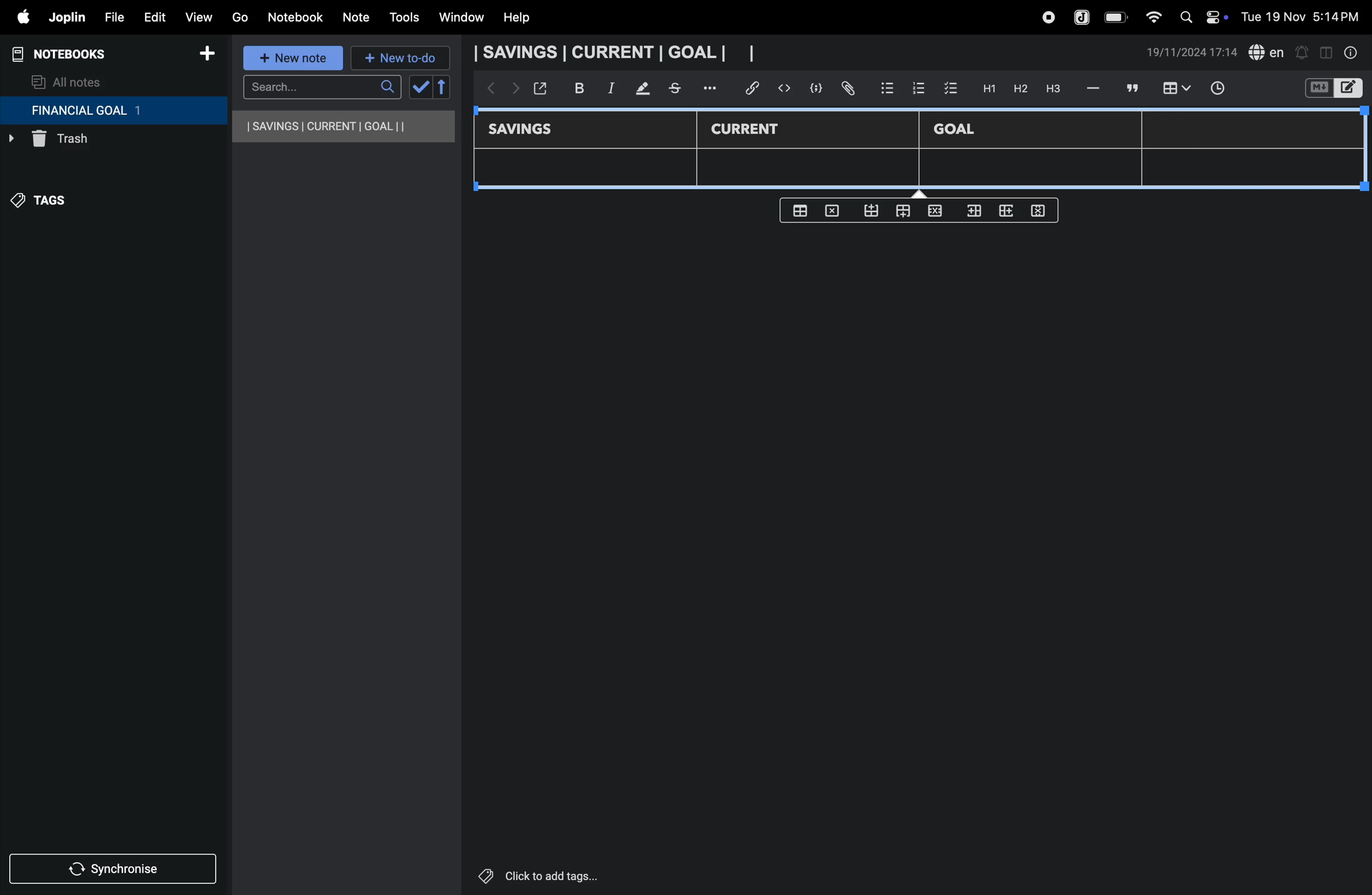  Describe the element at coordinates (800, 210) in the screenshot. I see `create table` at that location.